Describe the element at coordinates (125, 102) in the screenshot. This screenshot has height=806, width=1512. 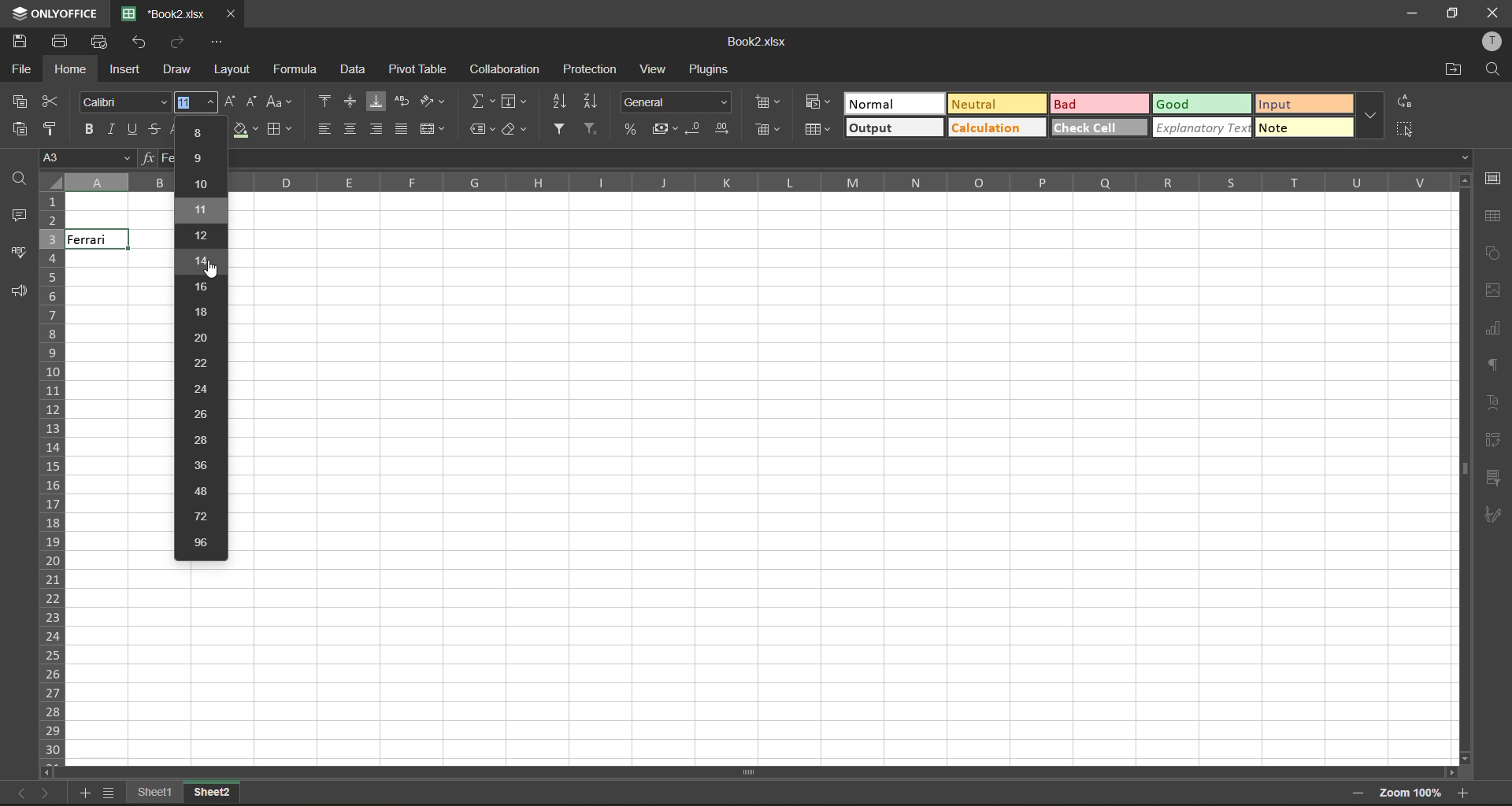
I see `font style` at that location.